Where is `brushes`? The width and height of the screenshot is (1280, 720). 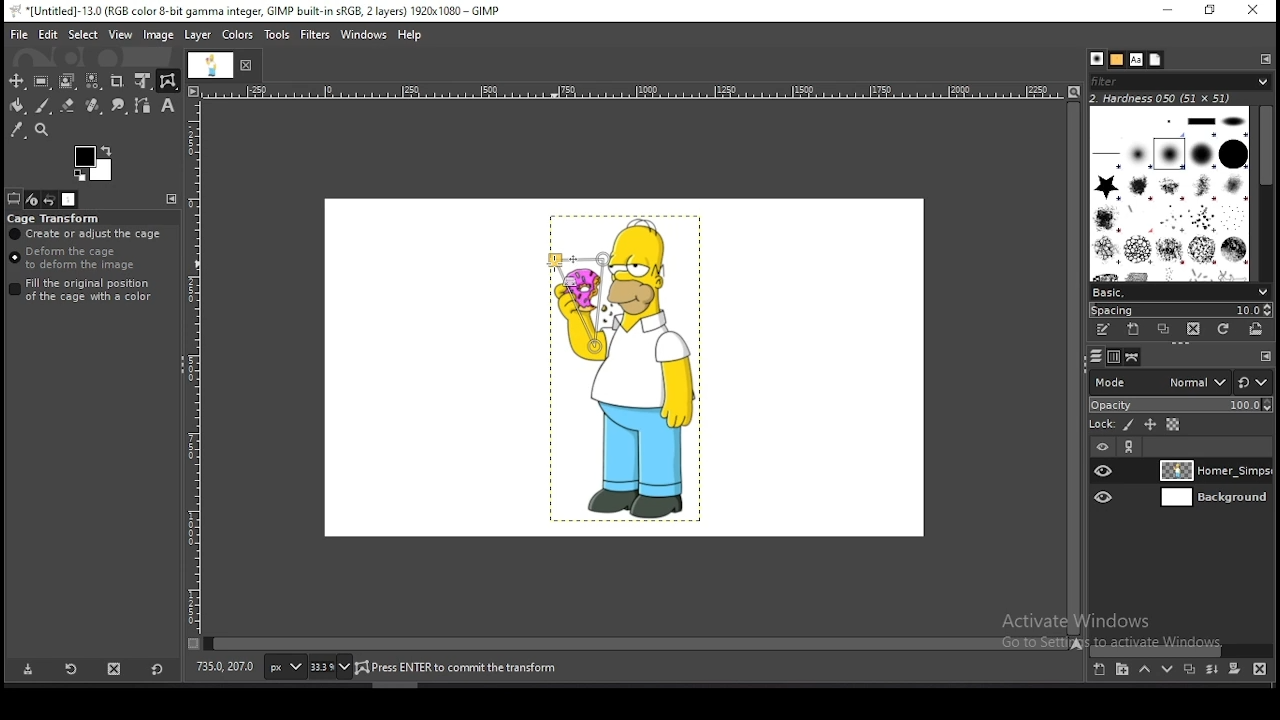
brushes is located at coordinates (1171, 192).